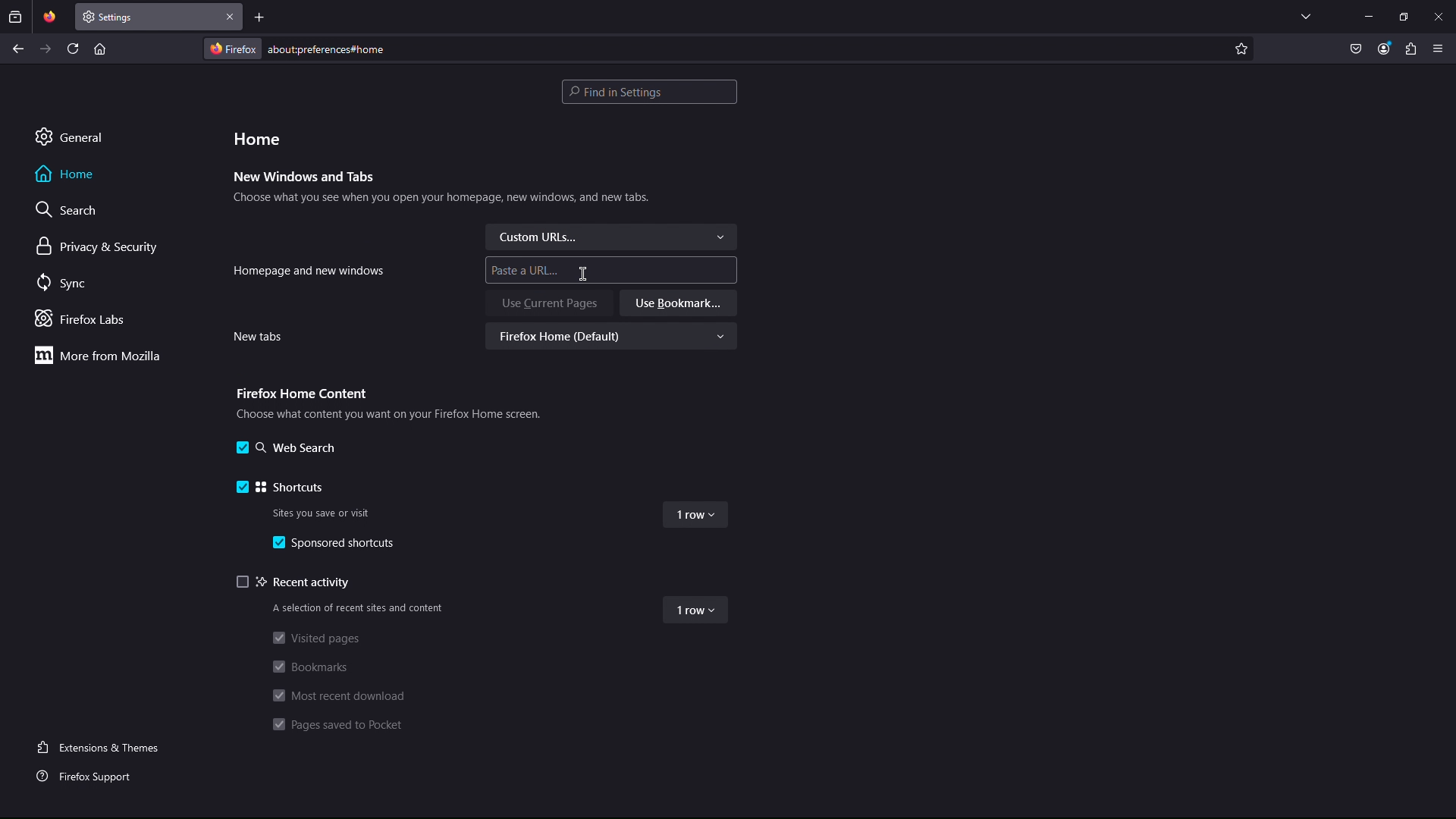  I want to click on Close, so click(1438, 16).